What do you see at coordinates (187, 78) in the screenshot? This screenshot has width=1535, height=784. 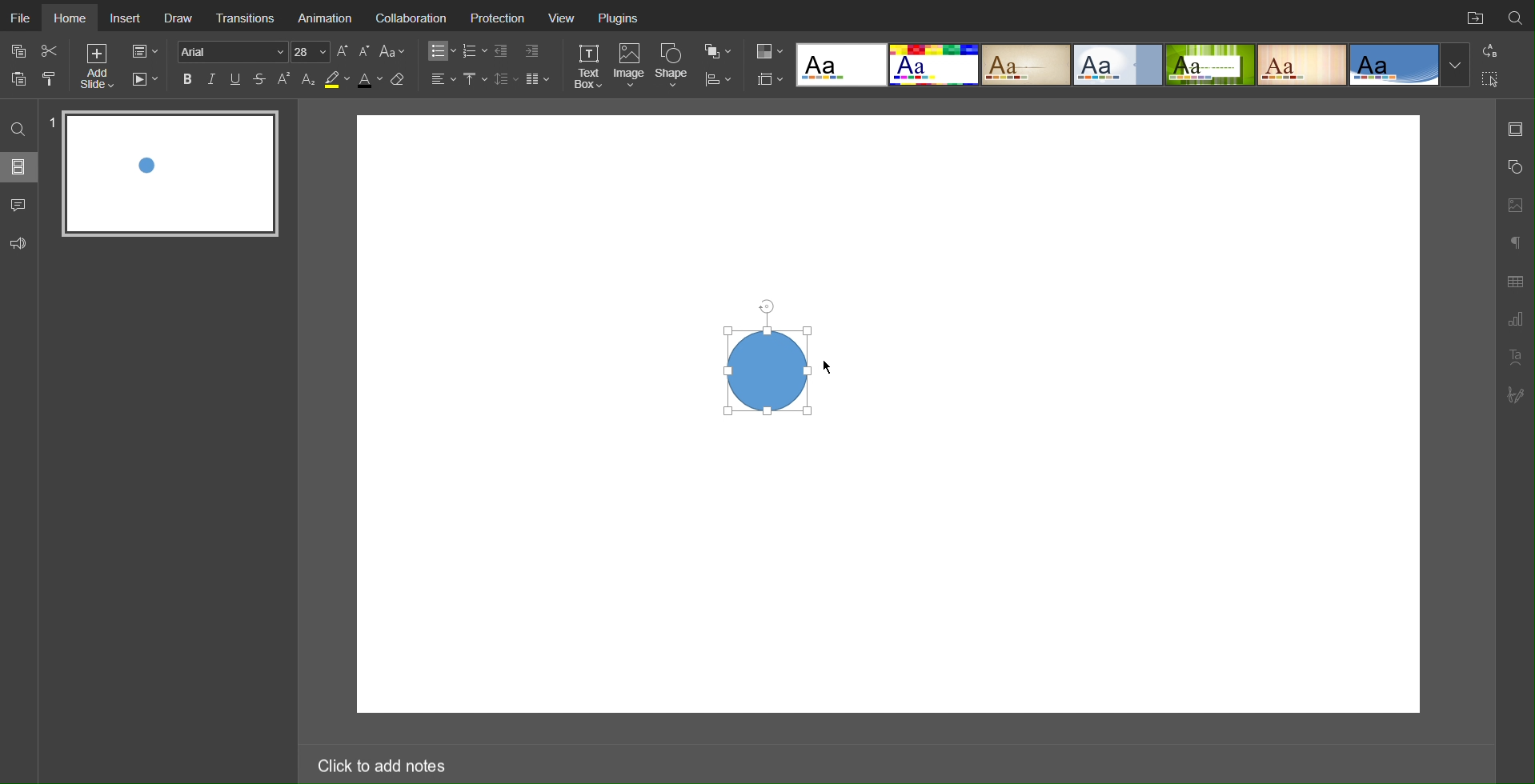 I see `Bold` at bounding box center [187, 78].